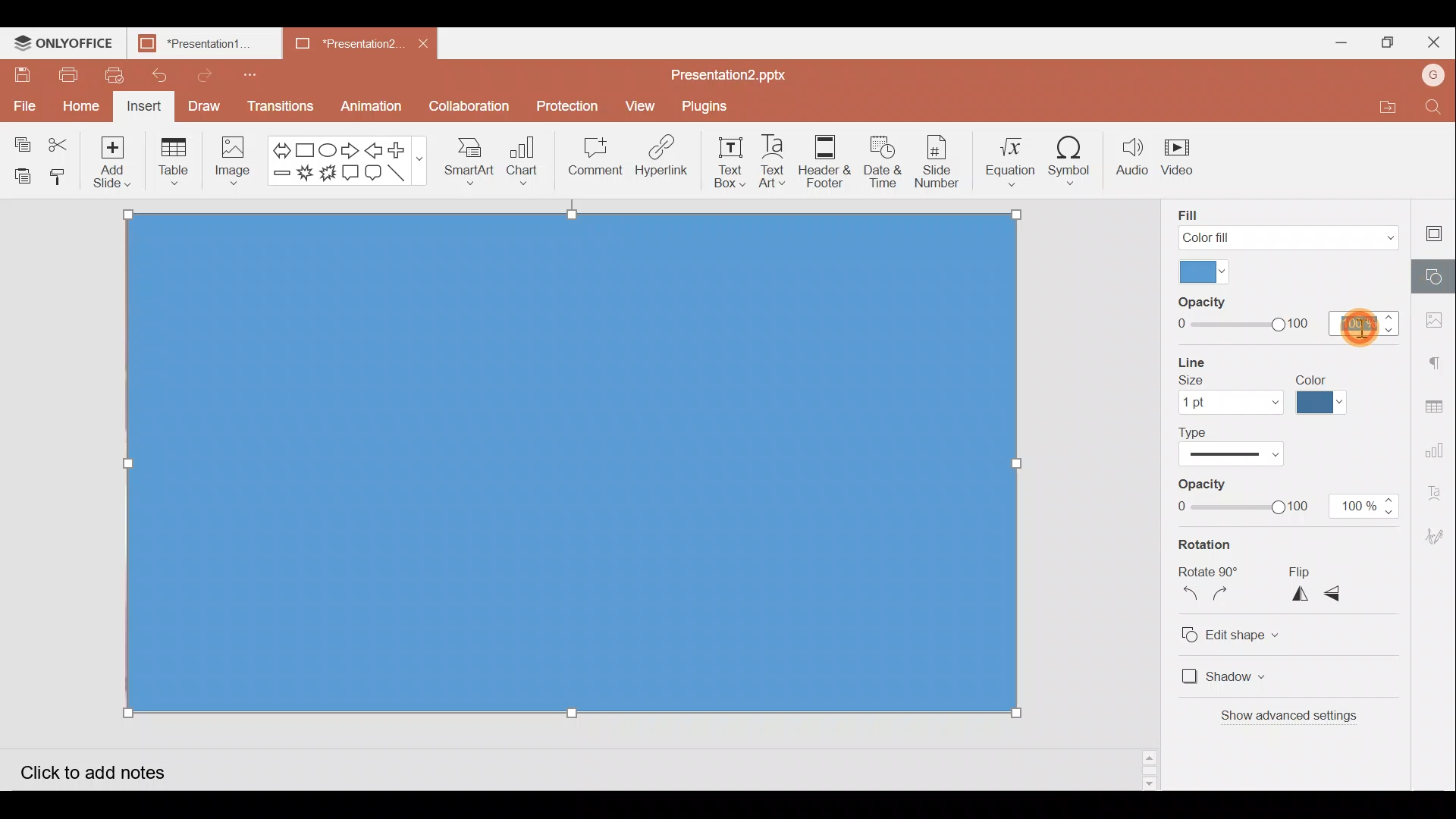 This screenshot has height=819, width=1456. What do you see at coordinates (233, 161) in the screenshot?
I see `Image` at bounding box center [233, 161].